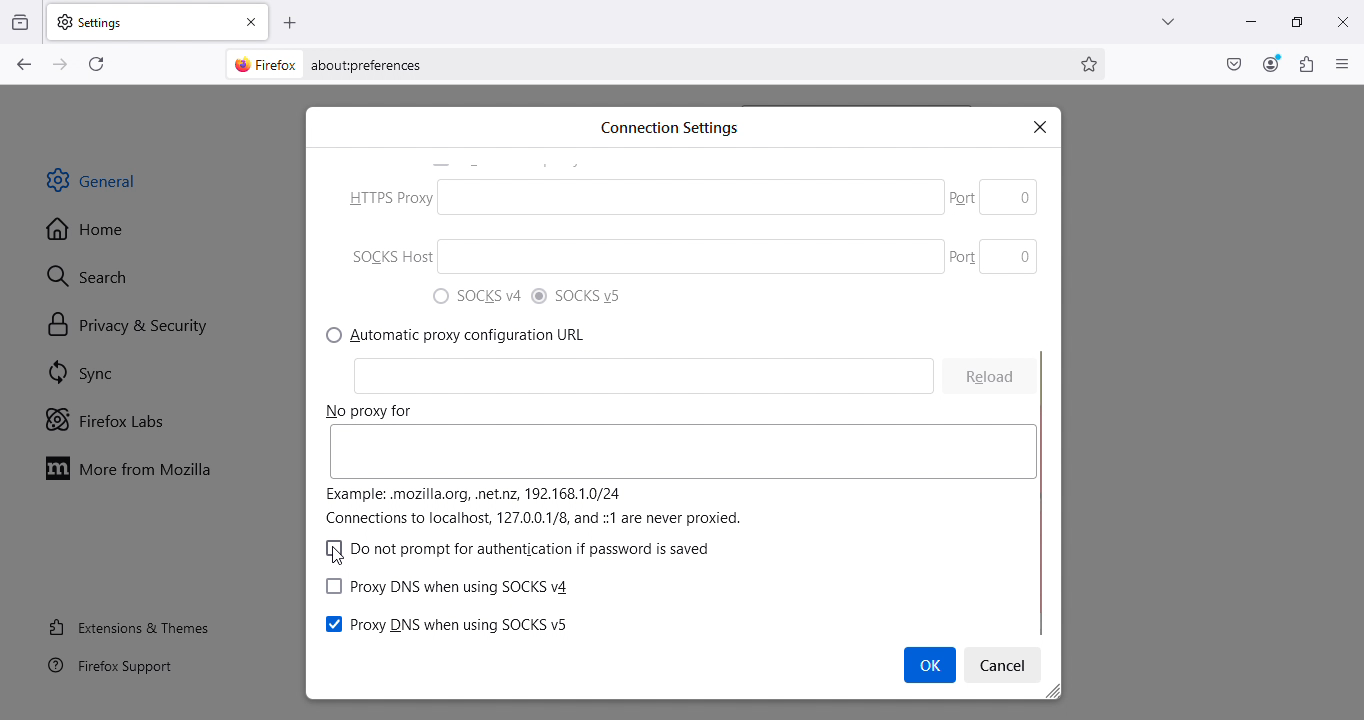 The height and width of the screenshot is (720, 1364). Describe the element at coordinates (1091, 64) in the screenshot. I see `Bookmark` at that location.